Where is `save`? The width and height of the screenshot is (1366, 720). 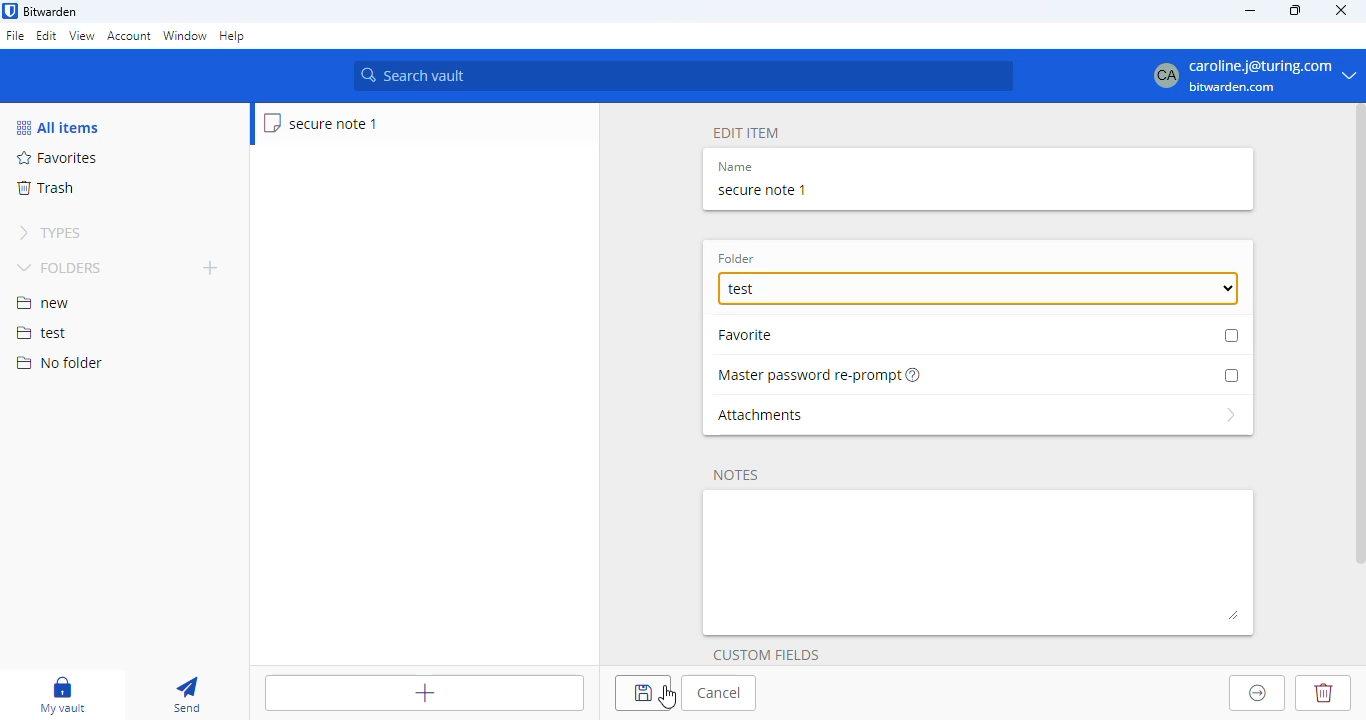 save is located at coordinates (642, 692).